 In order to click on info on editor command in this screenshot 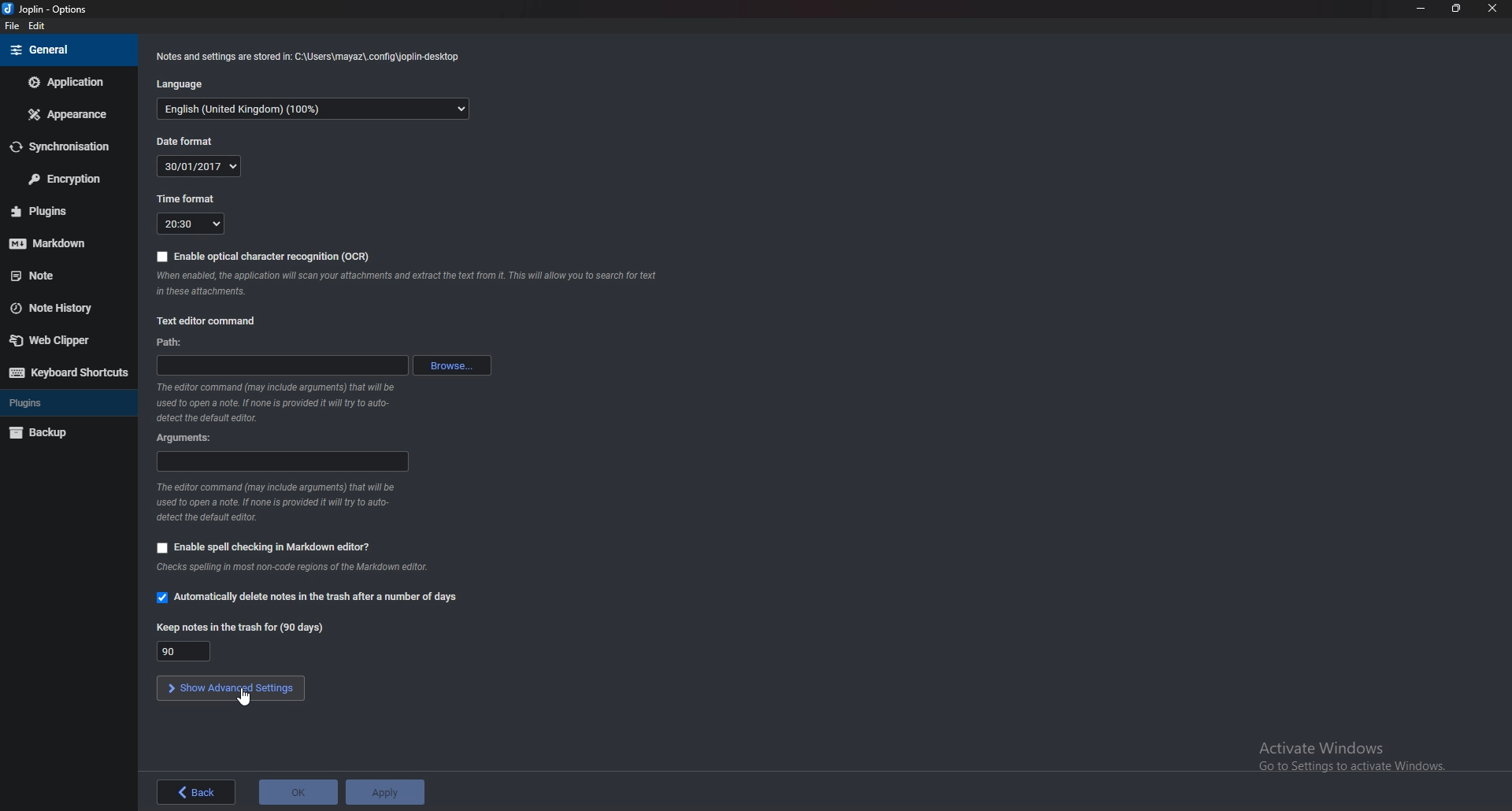, I will do `click(275, 404)`.